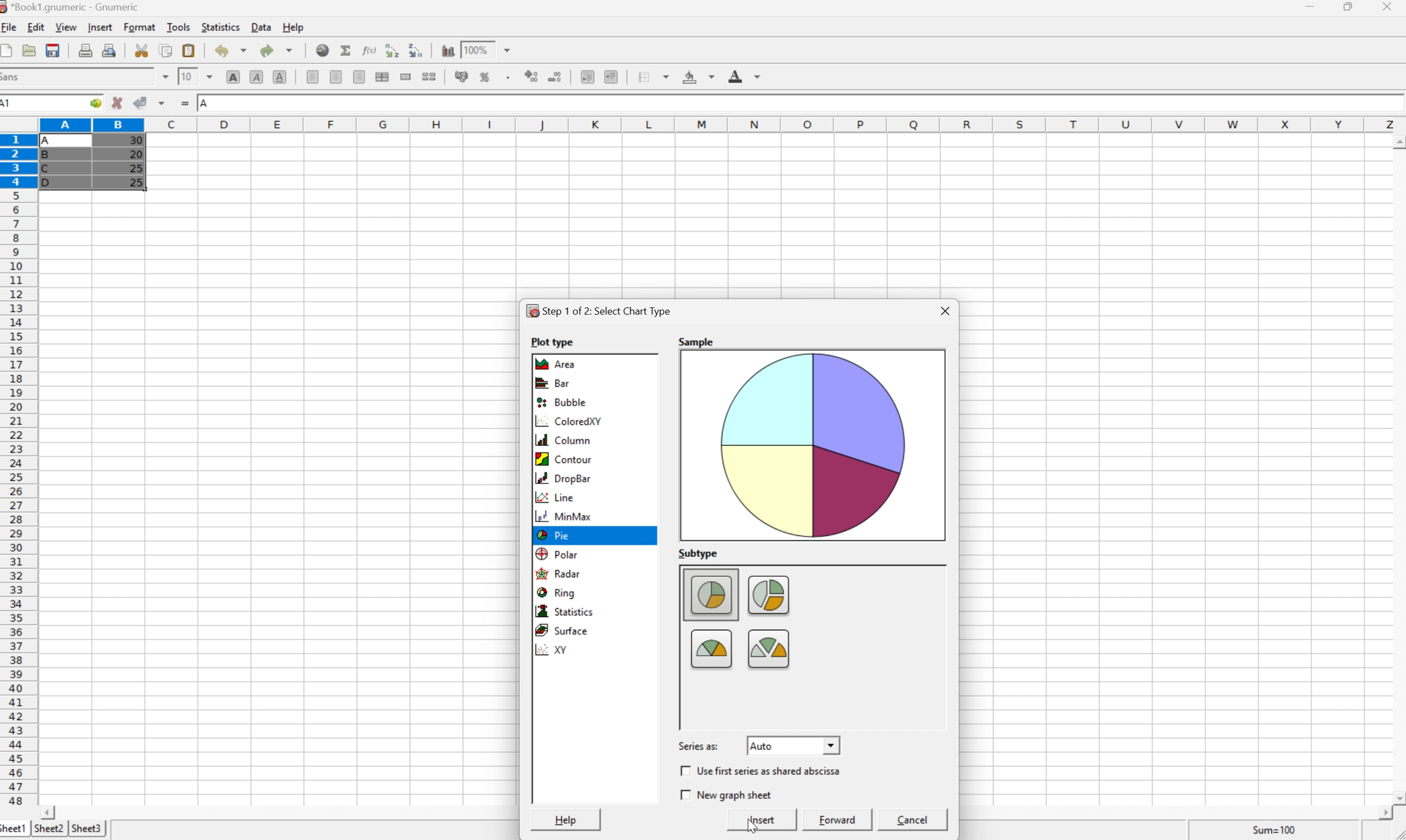  Describe the element at coordinates (29, 50) in the screenshot. I see `Open a file` at that location.